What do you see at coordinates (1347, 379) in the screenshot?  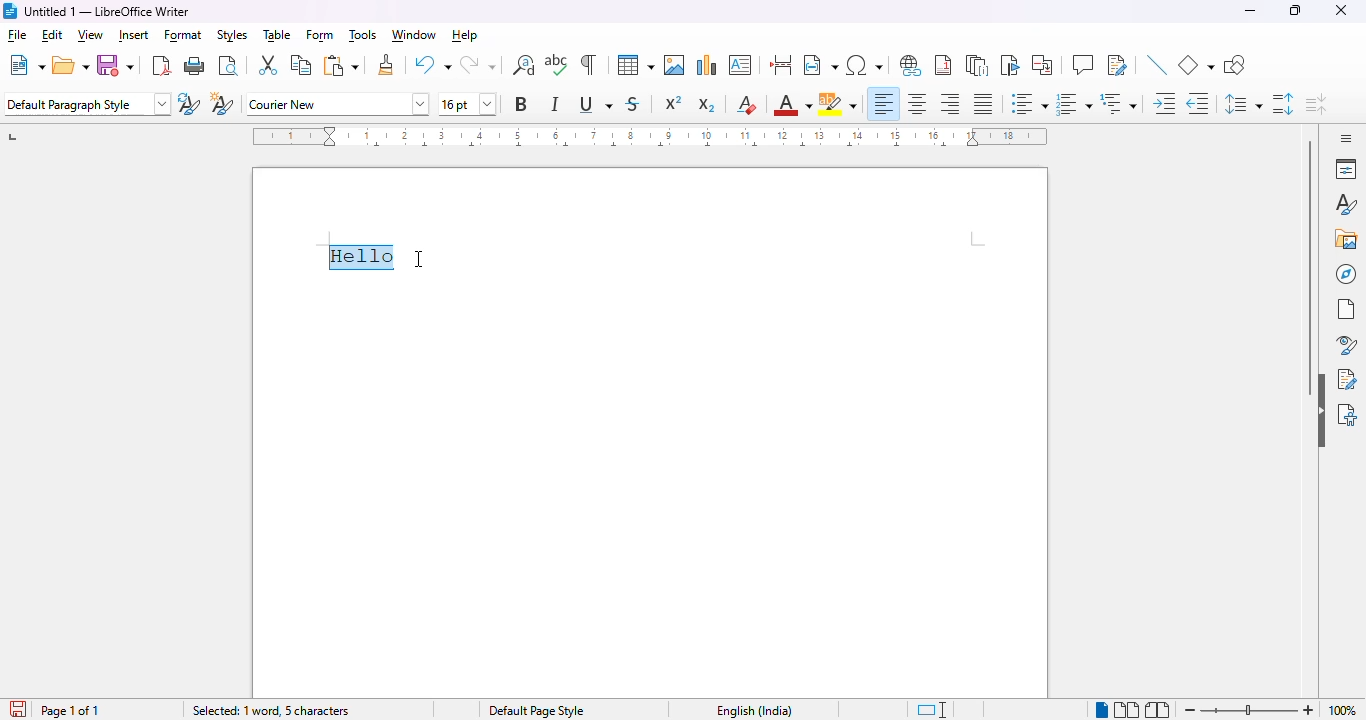 I see `manage changes` at bounding box center [1347, 379].